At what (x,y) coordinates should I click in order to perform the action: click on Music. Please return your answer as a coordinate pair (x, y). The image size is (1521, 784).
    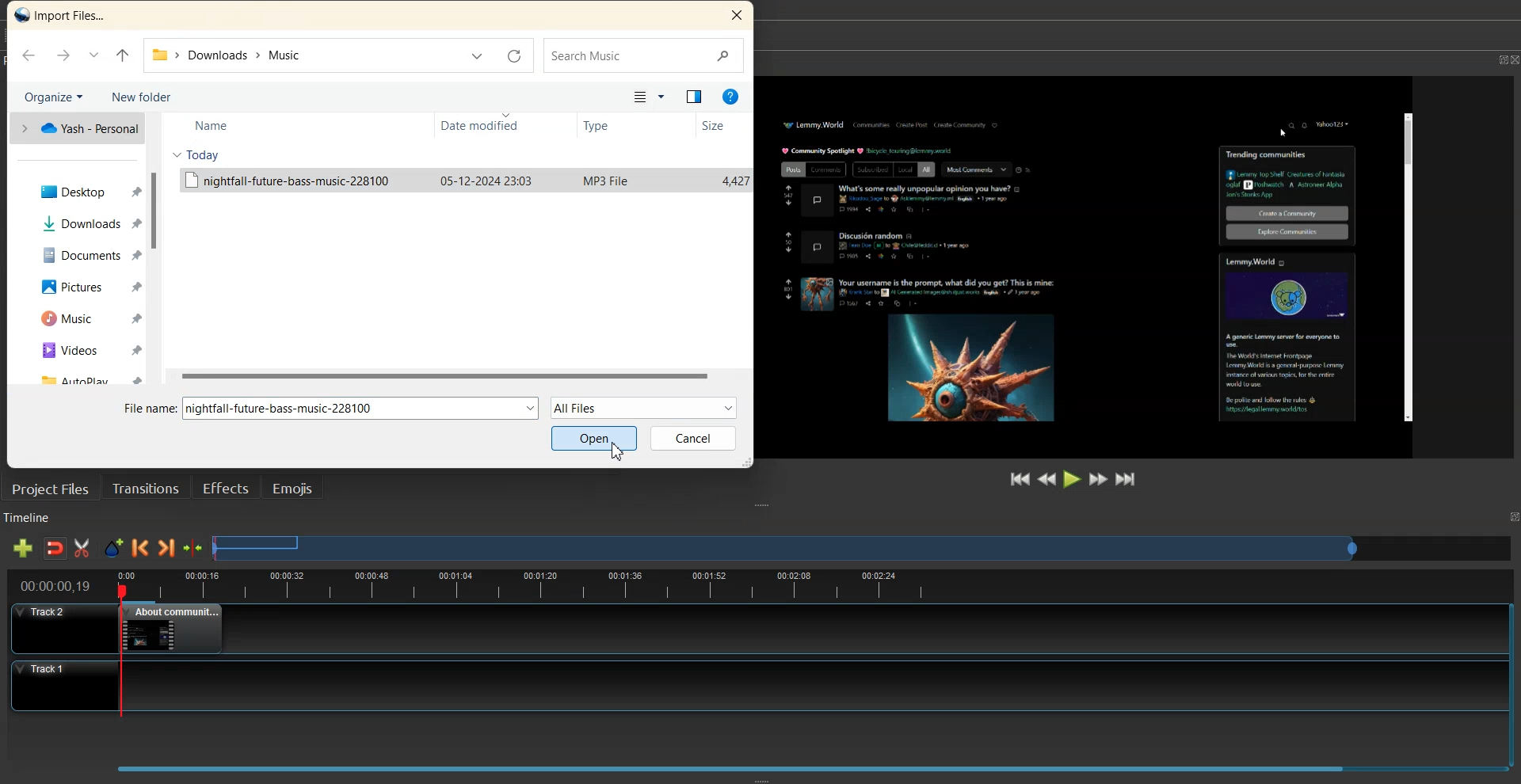
    Looking at the image, I should click on (74, 320).